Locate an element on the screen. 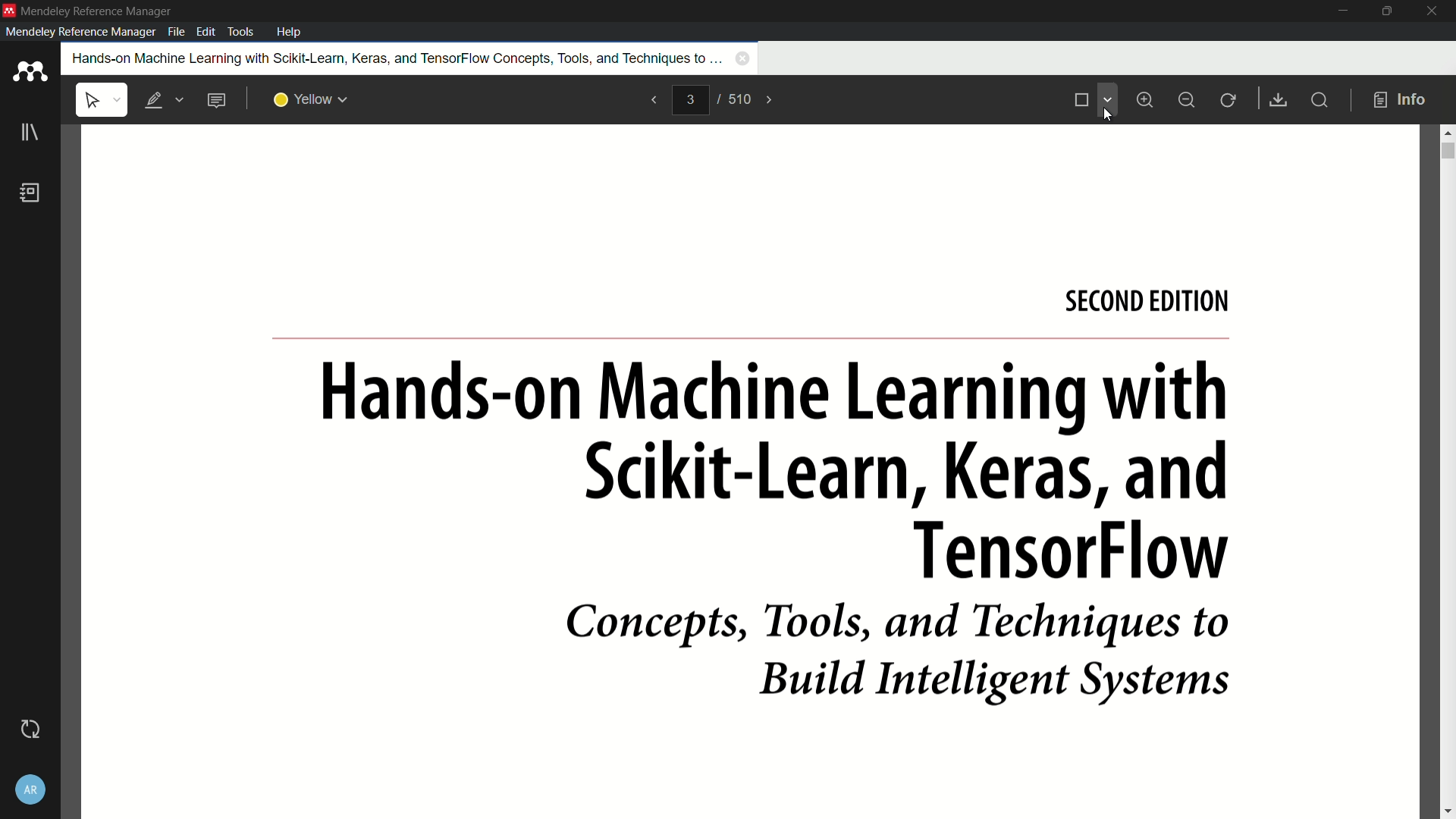  page is located at coordinates (752, 472).